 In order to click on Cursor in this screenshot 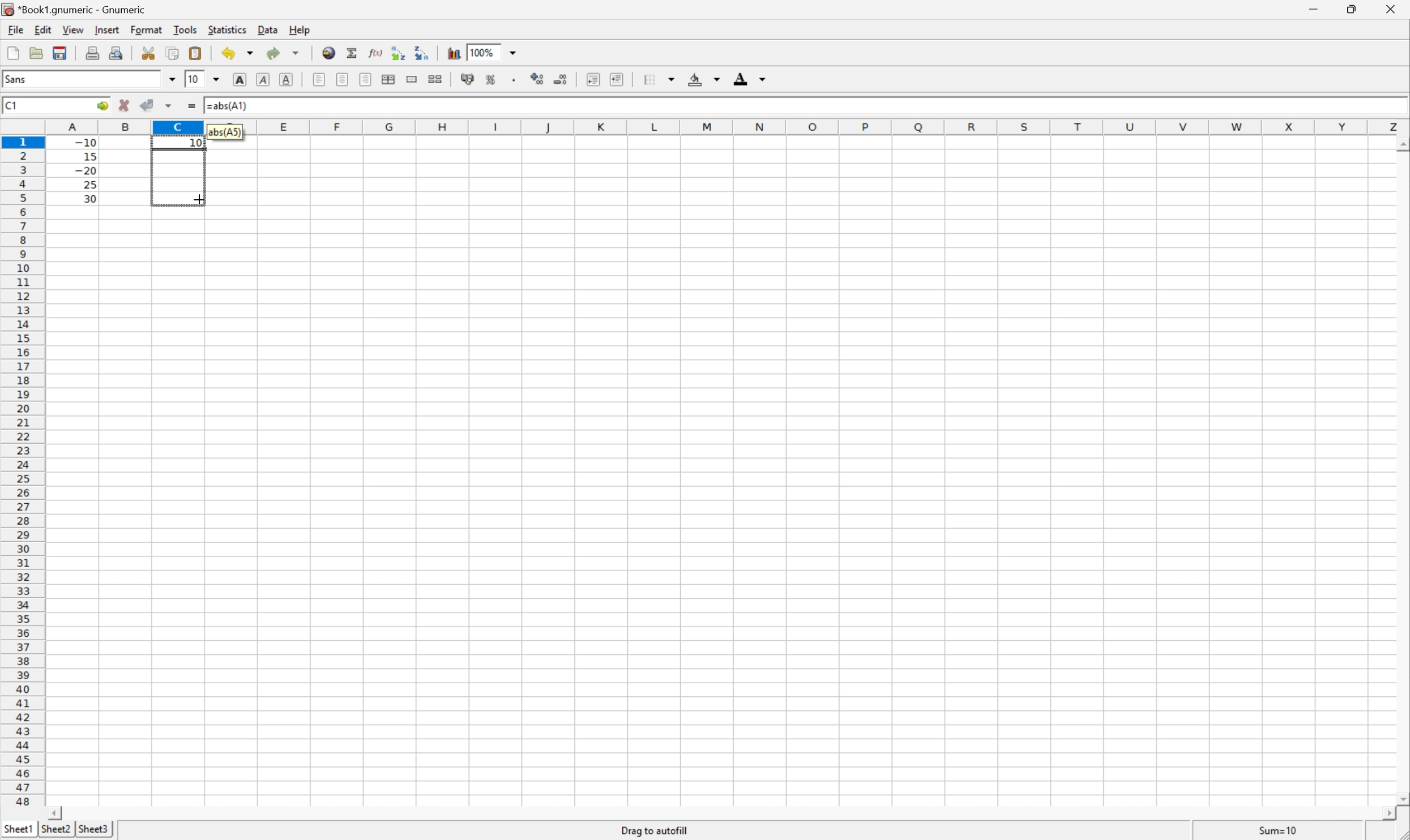, I will do `click(198, 198)`.